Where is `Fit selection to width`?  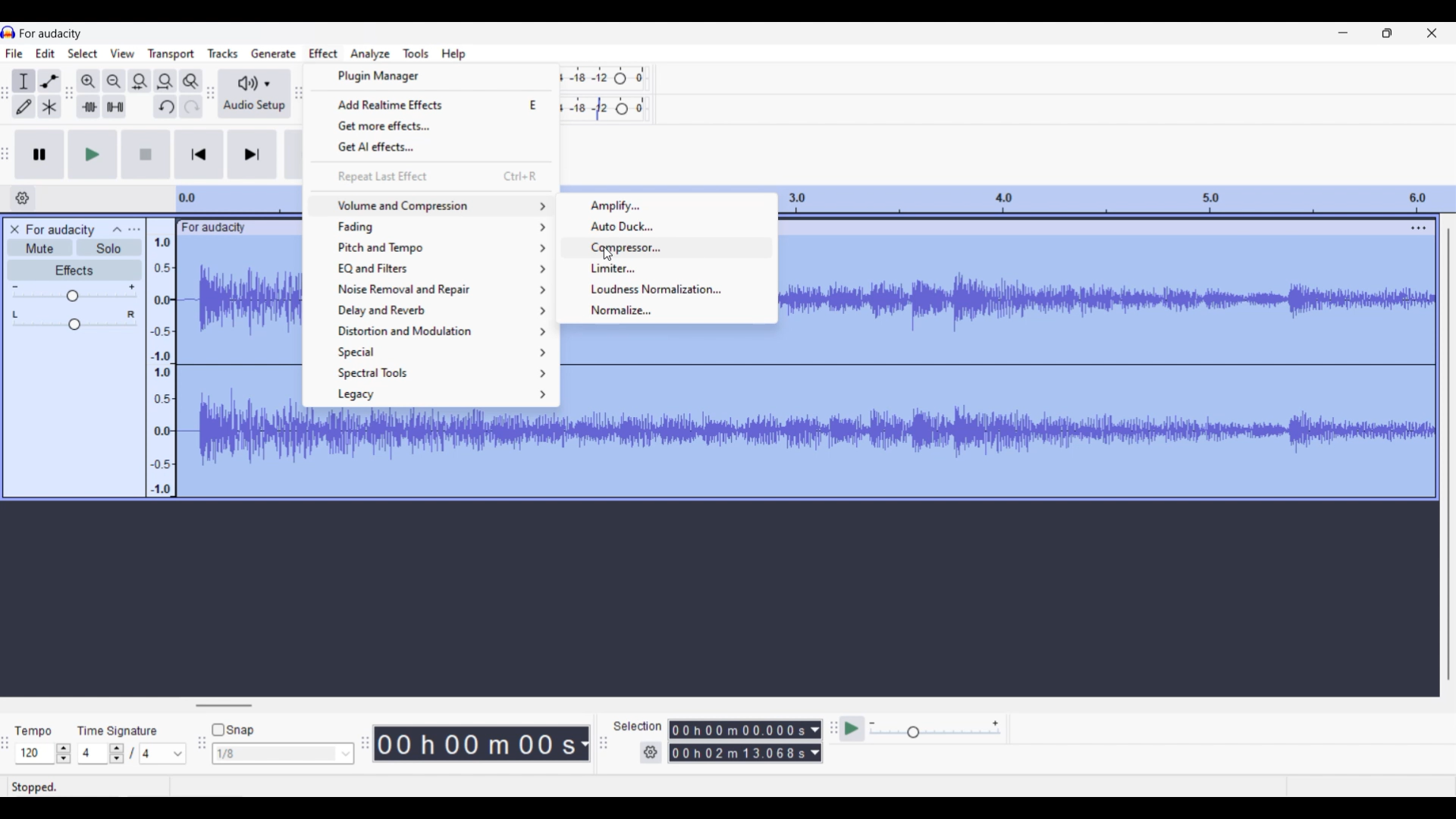 Fit selection to width is located at coordinates (140, 81).